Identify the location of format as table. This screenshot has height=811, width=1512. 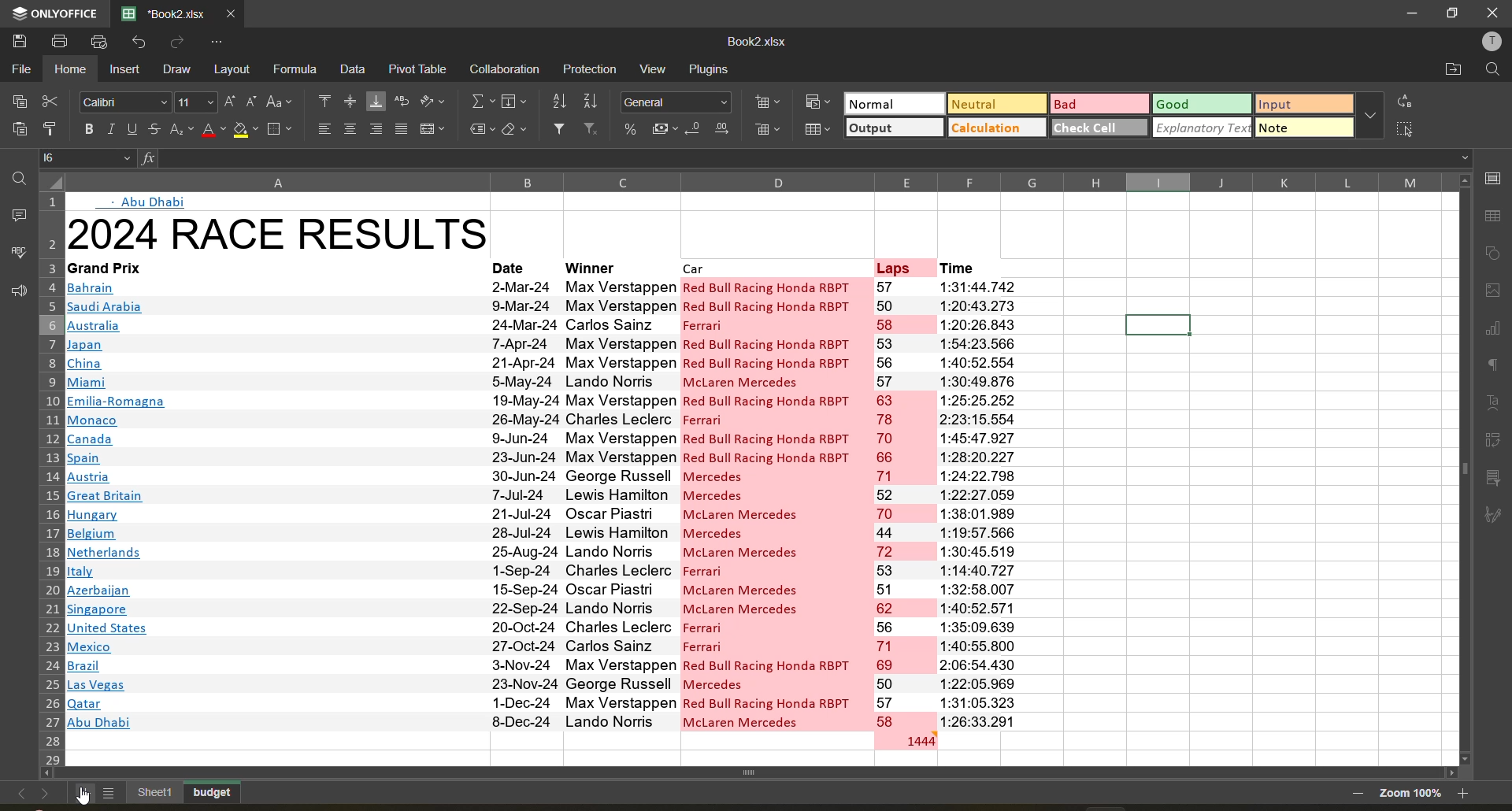
(821, 131).